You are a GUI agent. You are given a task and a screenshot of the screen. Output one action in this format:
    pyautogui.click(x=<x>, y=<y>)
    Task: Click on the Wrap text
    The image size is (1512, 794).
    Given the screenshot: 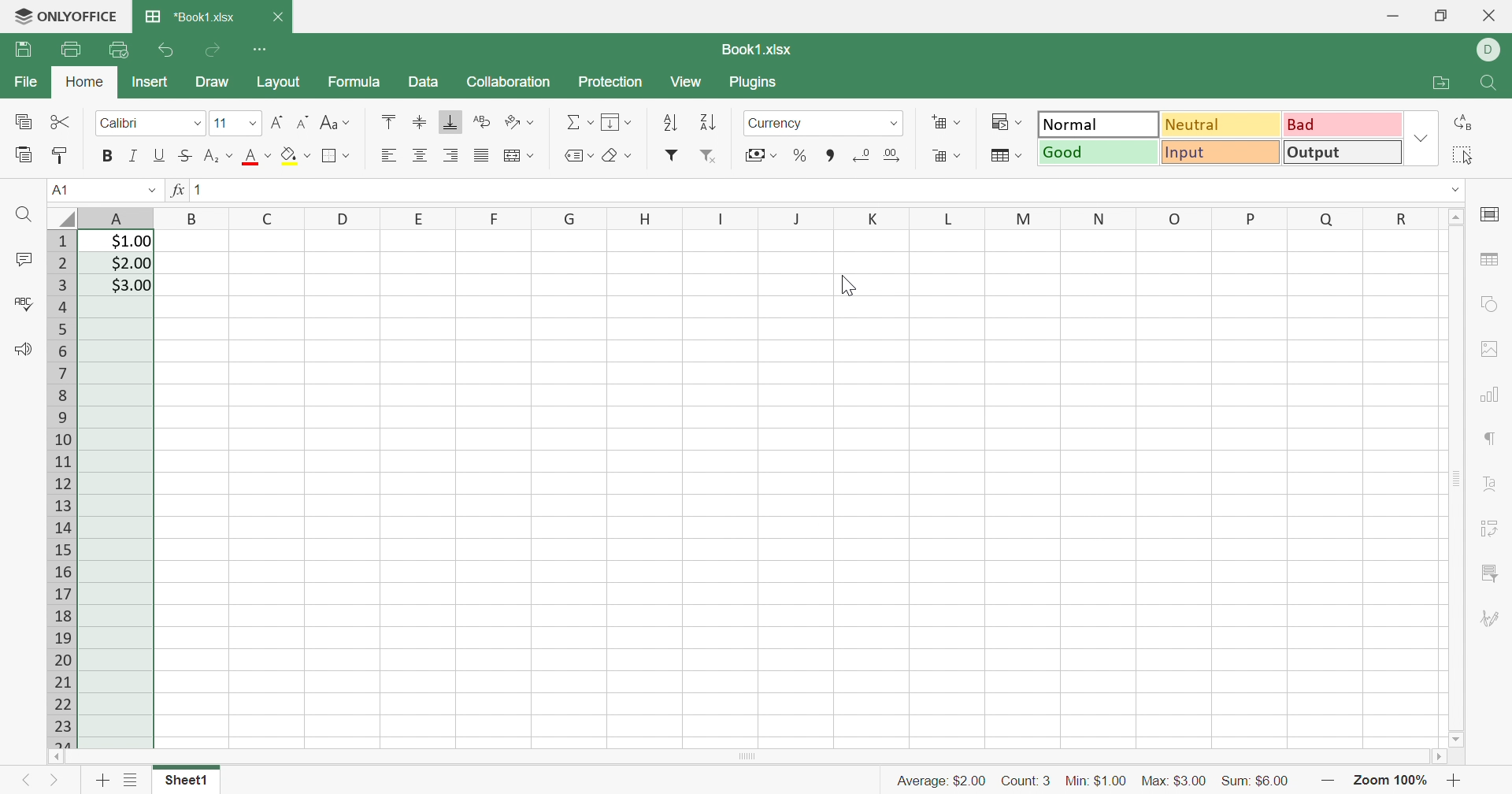 What is the action you would take?
    pyautogui.click(x=516, y=156)
    